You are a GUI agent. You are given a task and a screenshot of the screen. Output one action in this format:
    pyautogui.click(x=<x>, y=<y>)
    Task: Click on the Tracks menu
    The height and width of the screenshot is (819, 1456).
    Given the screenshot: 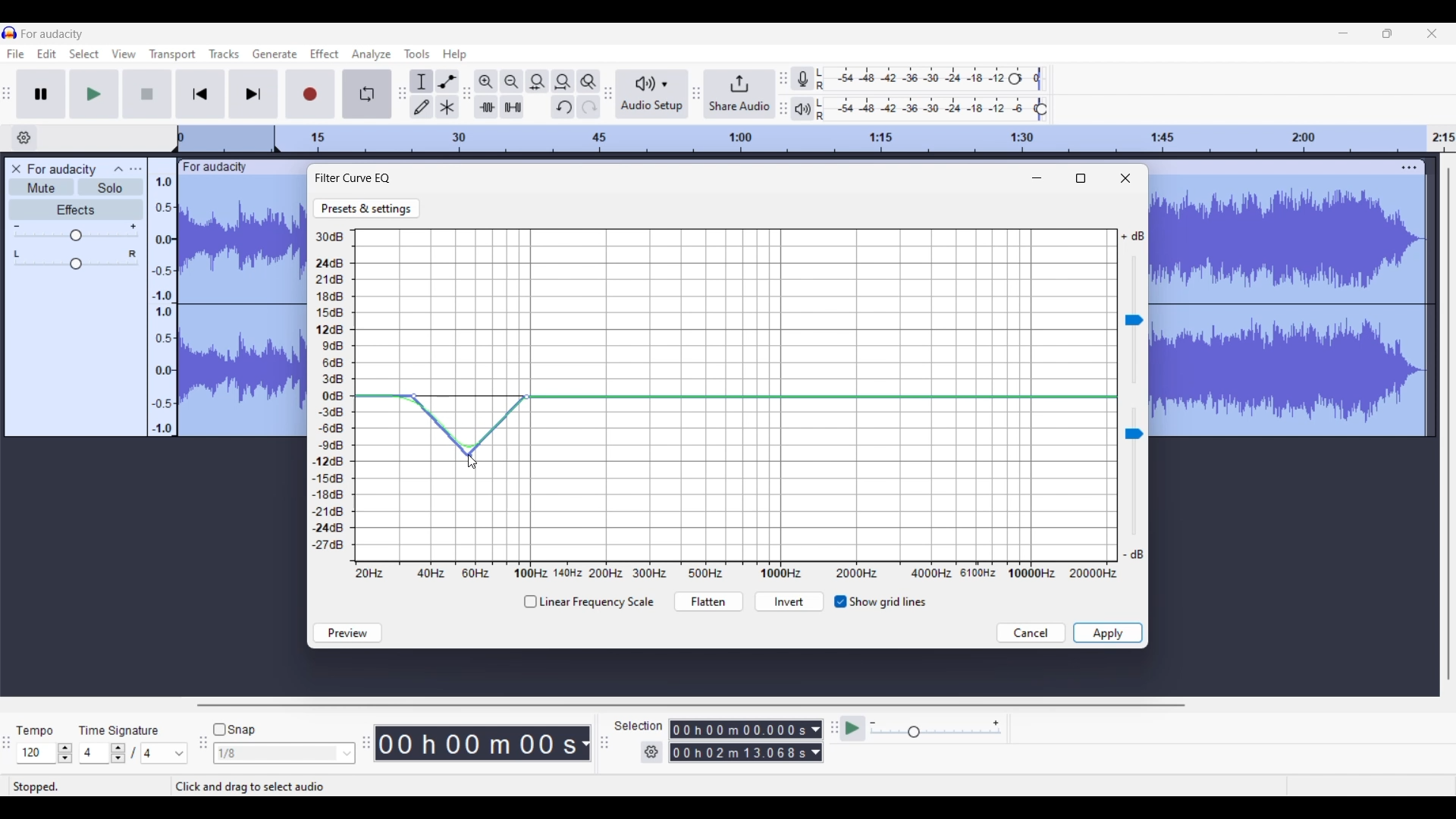 What is the action you would take?
    pyautogui.click(x=224, y=54)
    